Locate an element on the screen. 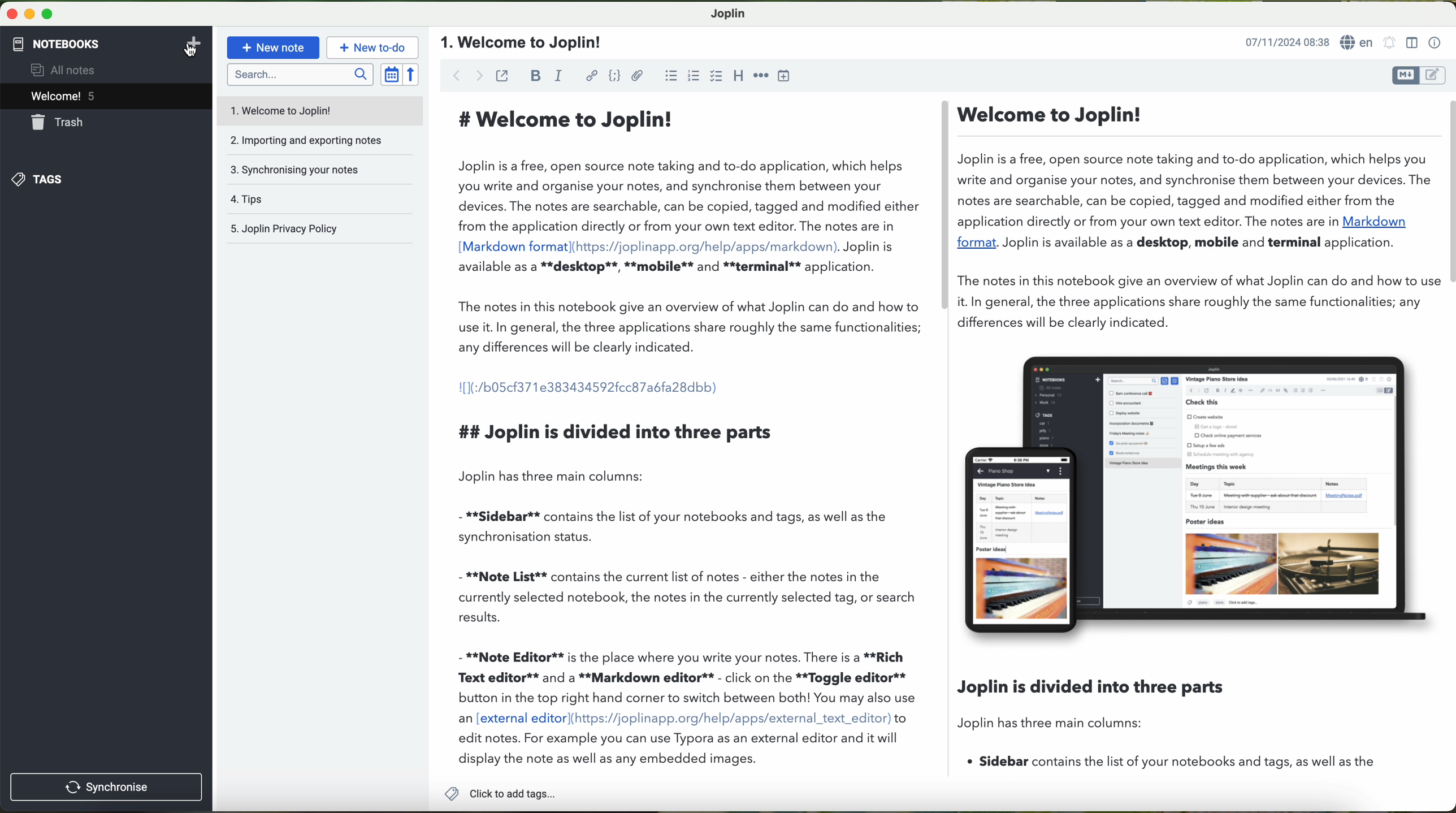 This screenshot has width=1456, height=813. welcome! 5 is located at coordinates (54, 97).